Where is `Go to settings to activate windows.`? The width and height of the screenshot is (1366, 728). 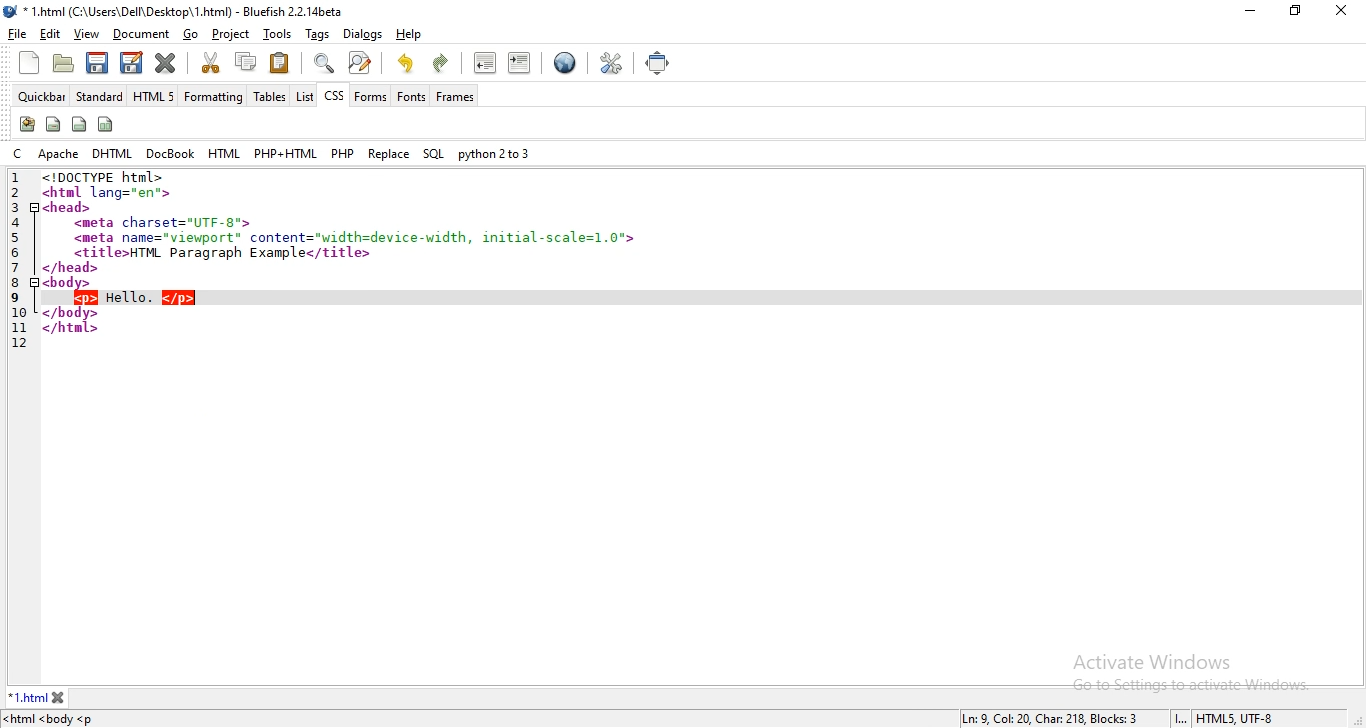 Go to settings to activate windows. is located at coordinates (1193, 685).